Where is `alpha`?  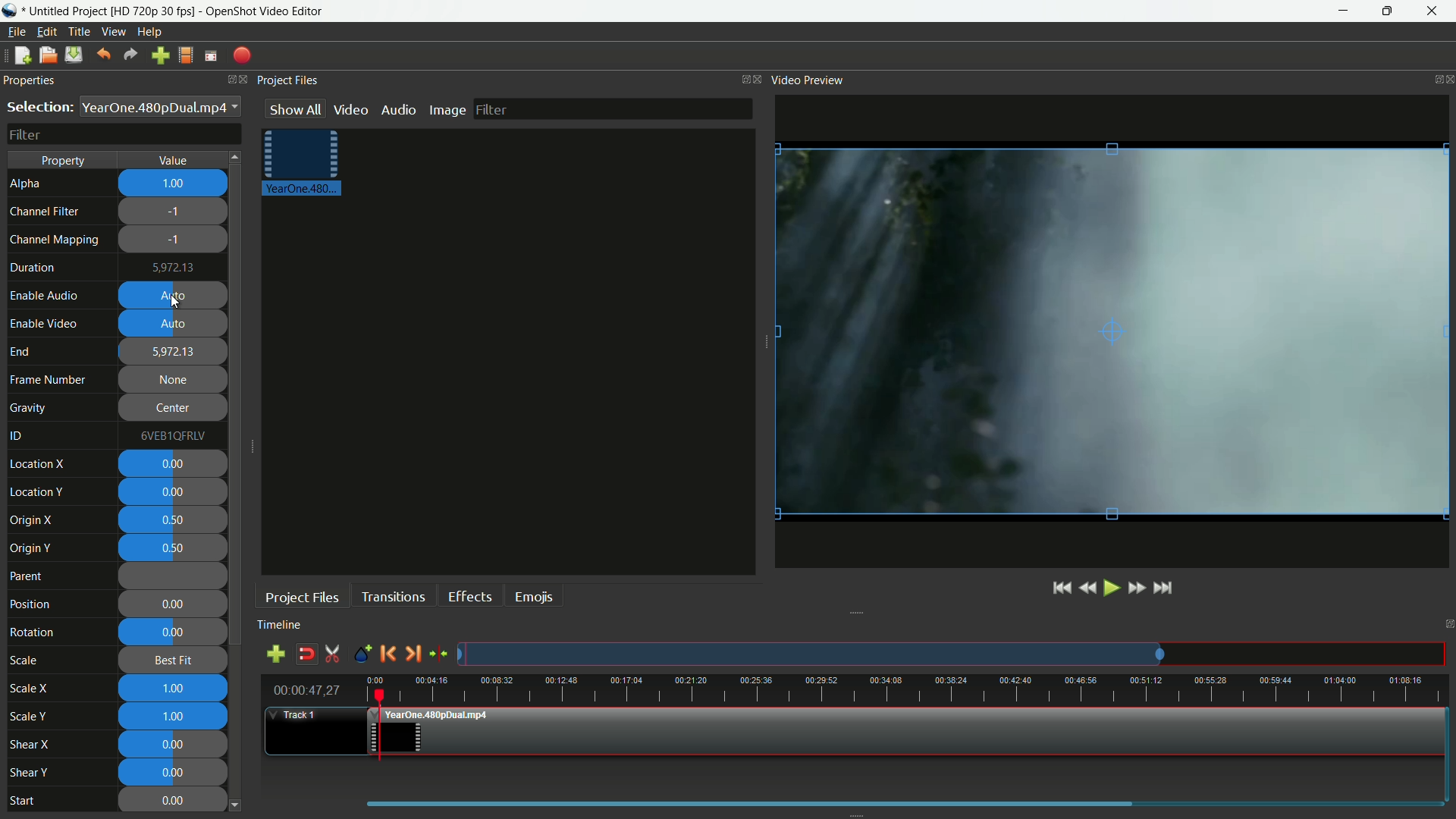
alpha is located at coordinates (28, 184).